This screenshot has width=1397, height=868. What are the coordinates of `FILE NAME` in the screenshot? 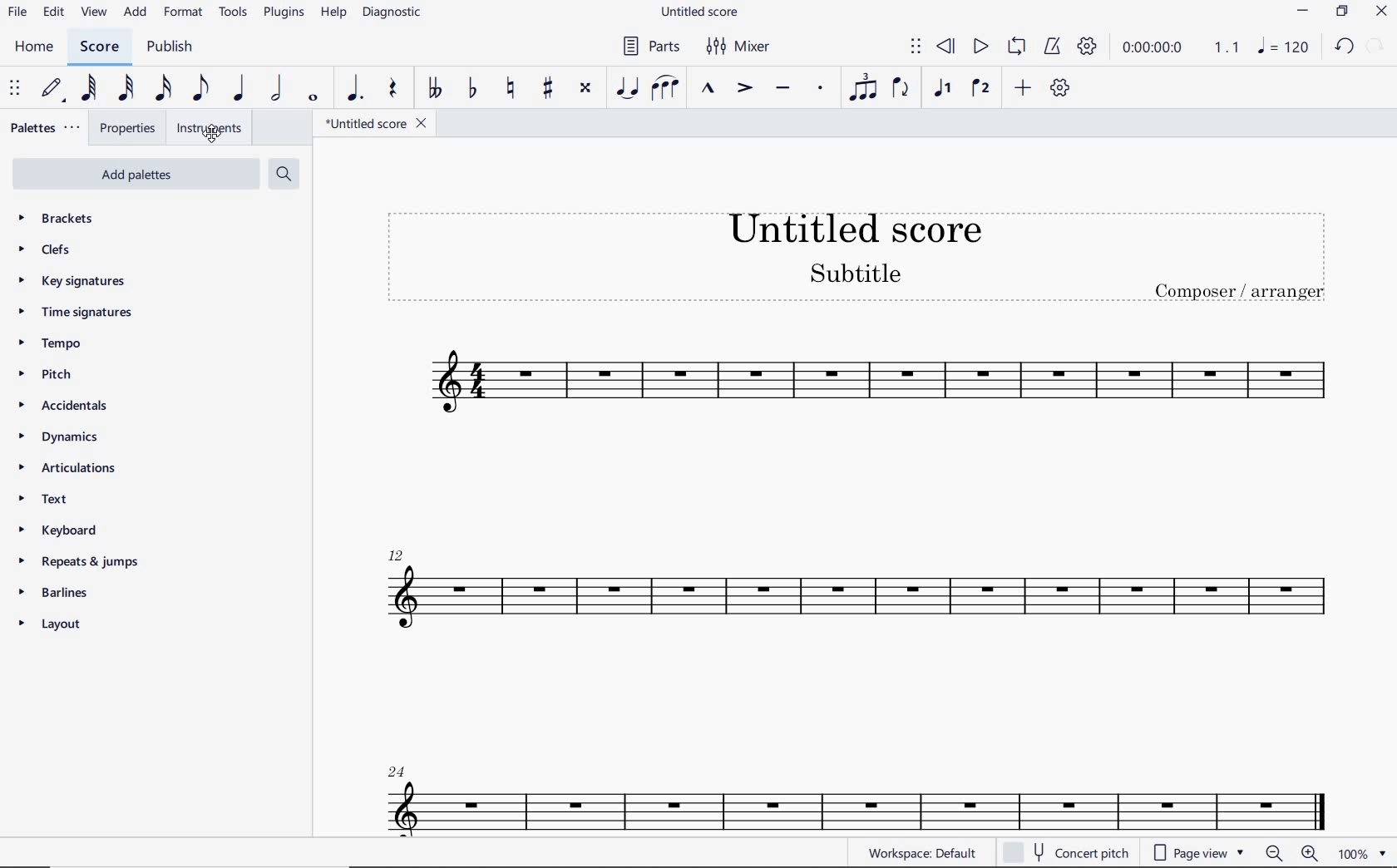 It's located at (699, 11).